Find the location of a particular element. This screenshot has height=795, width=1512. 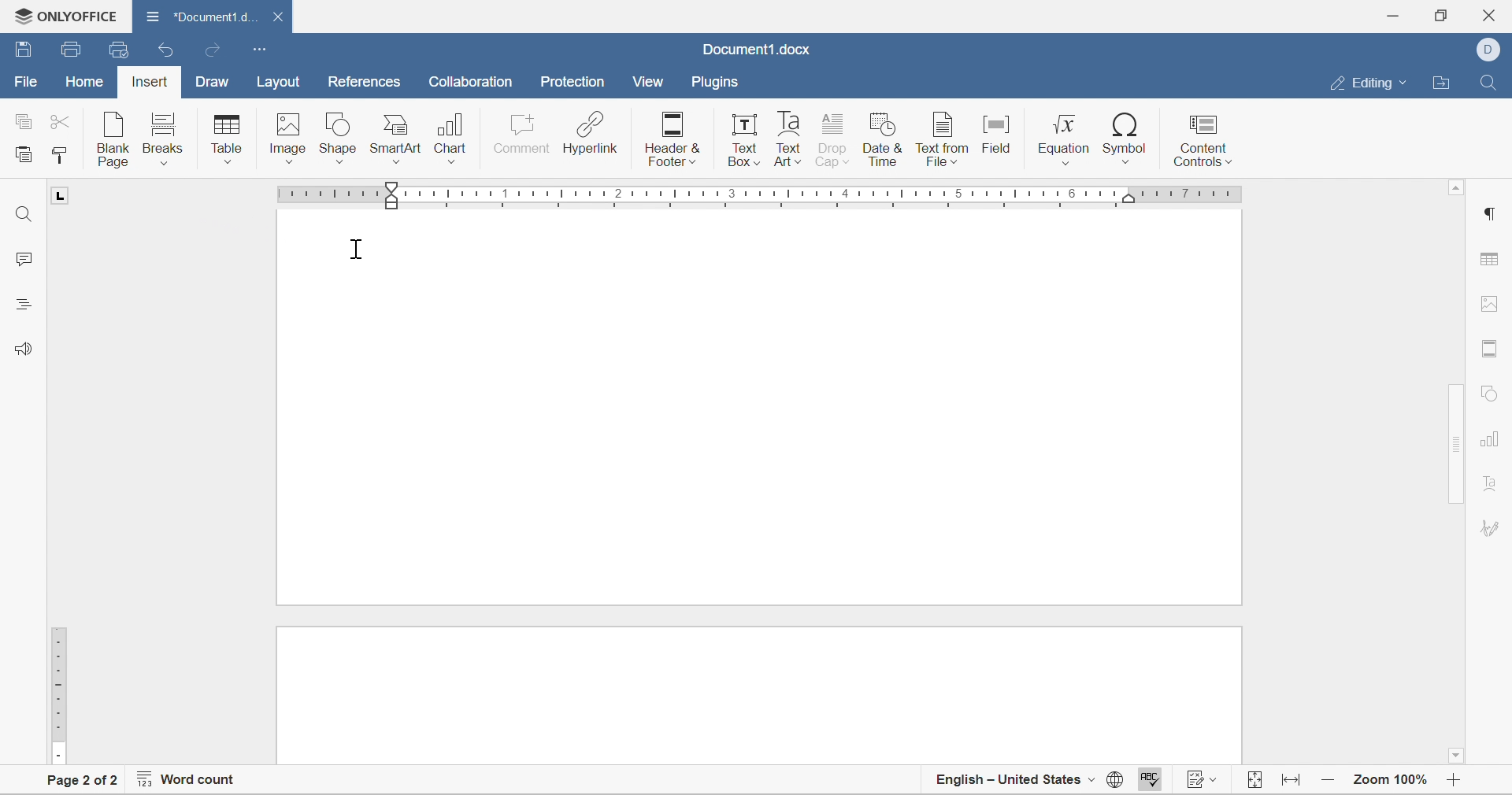

Comment is located at coordinates (522, 139).